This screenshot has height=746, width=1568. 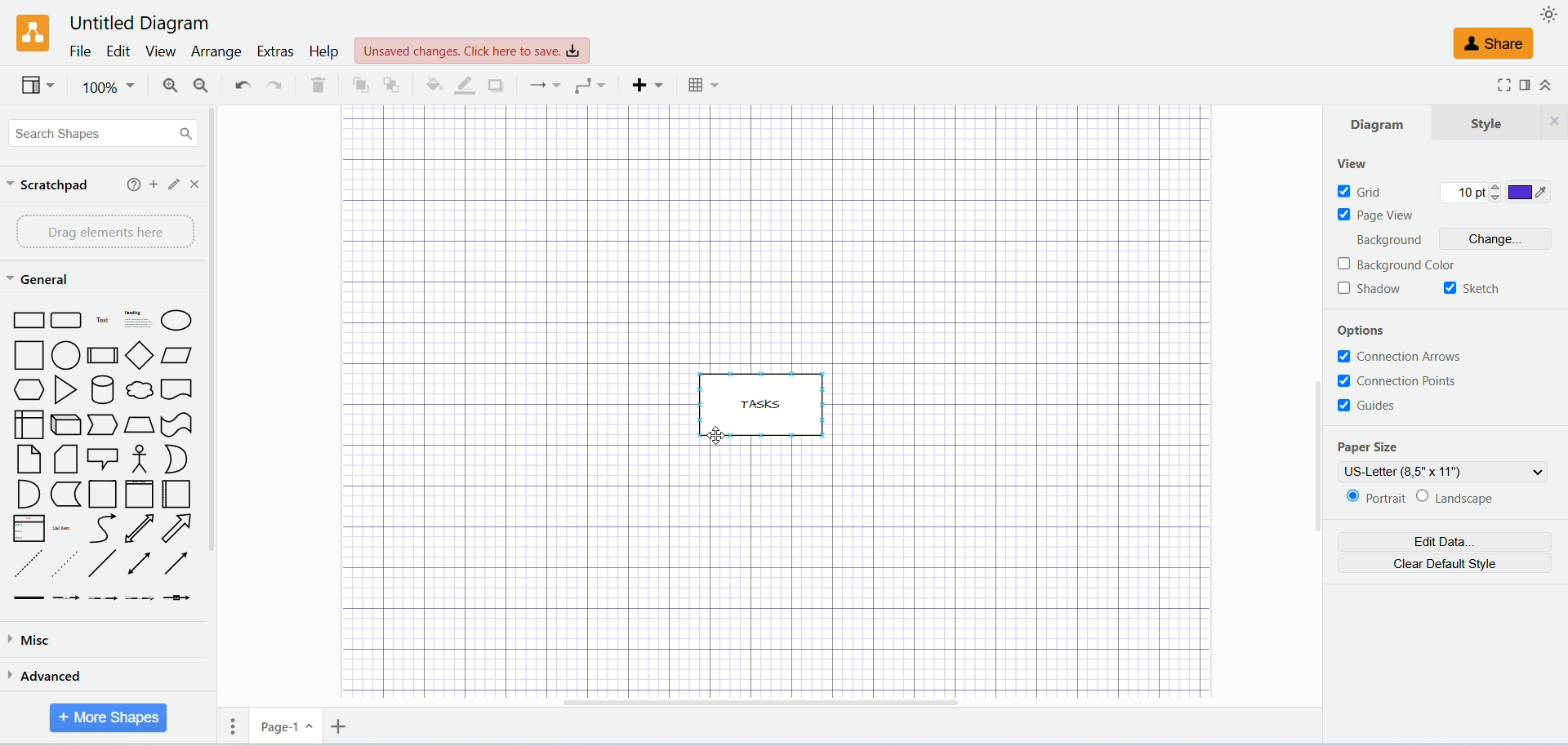 I want to click on Parallelogram, so click(x=178, y=356).